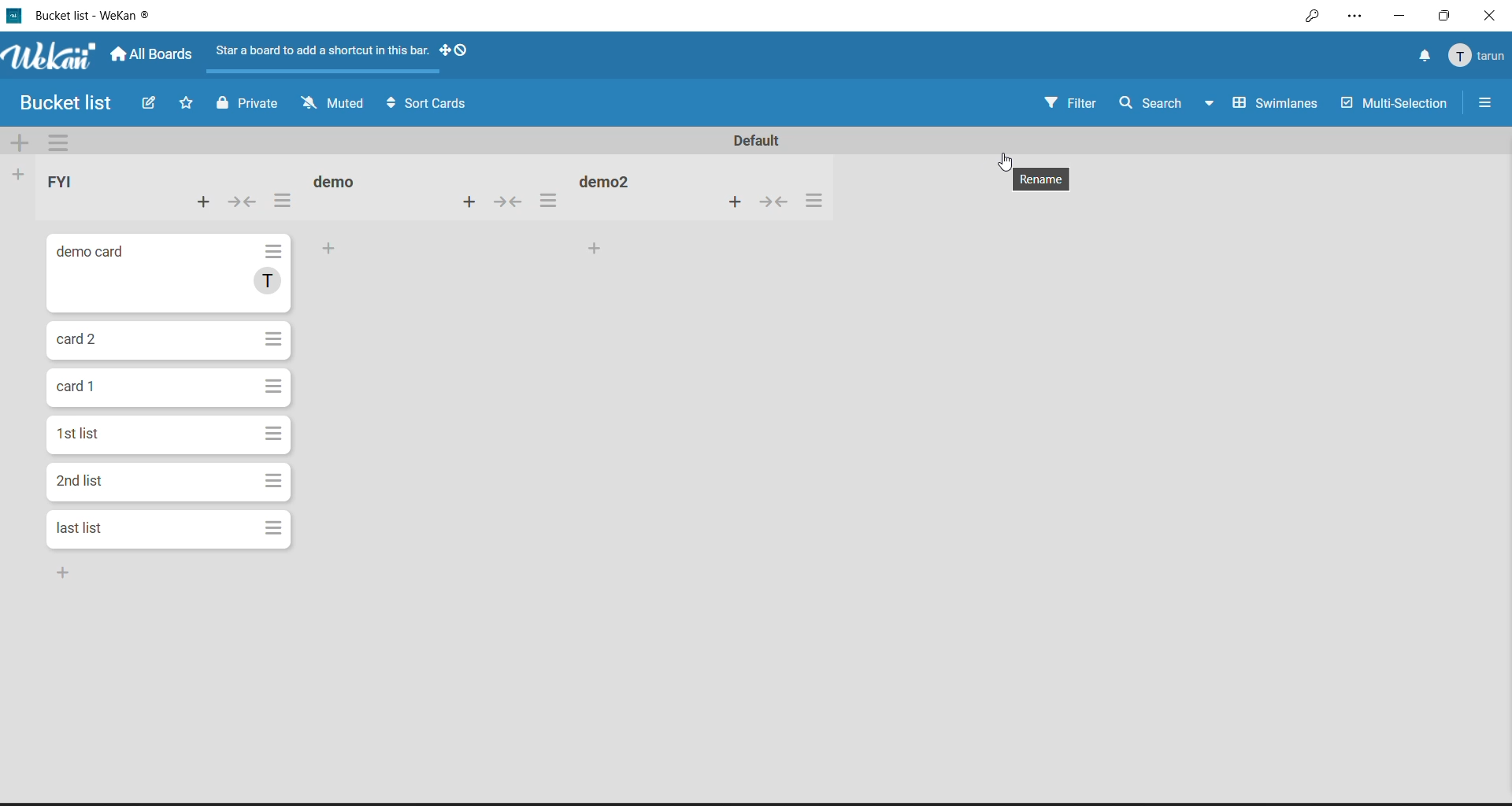 The image size is (1512, 806). Describe the element at coordinates (812, 201) in the screenshot. I see `list actions` at that location.